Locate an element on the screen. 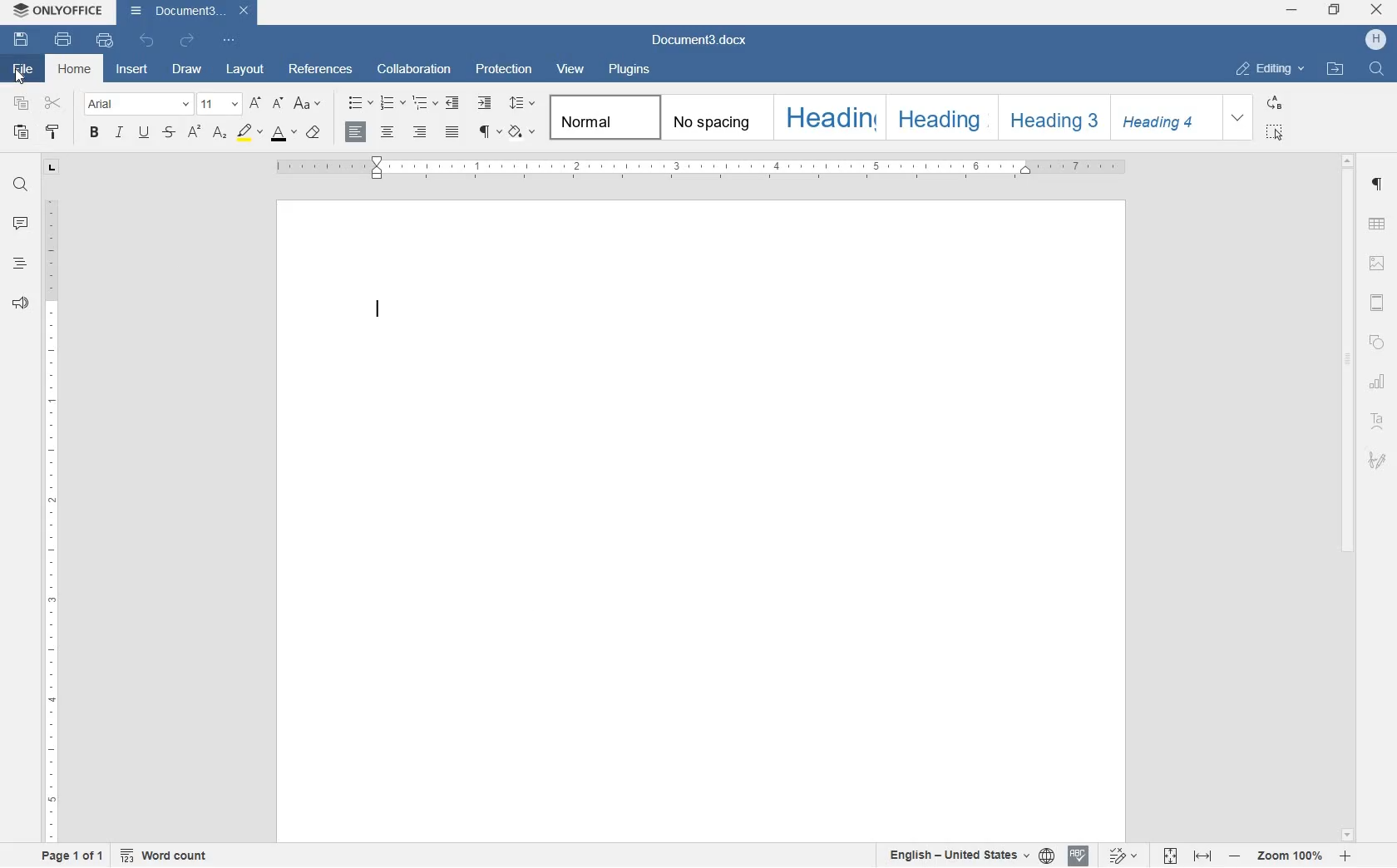 The height and width of the screenshot is (868, 1397). editor is located at coordinates (376, 312).